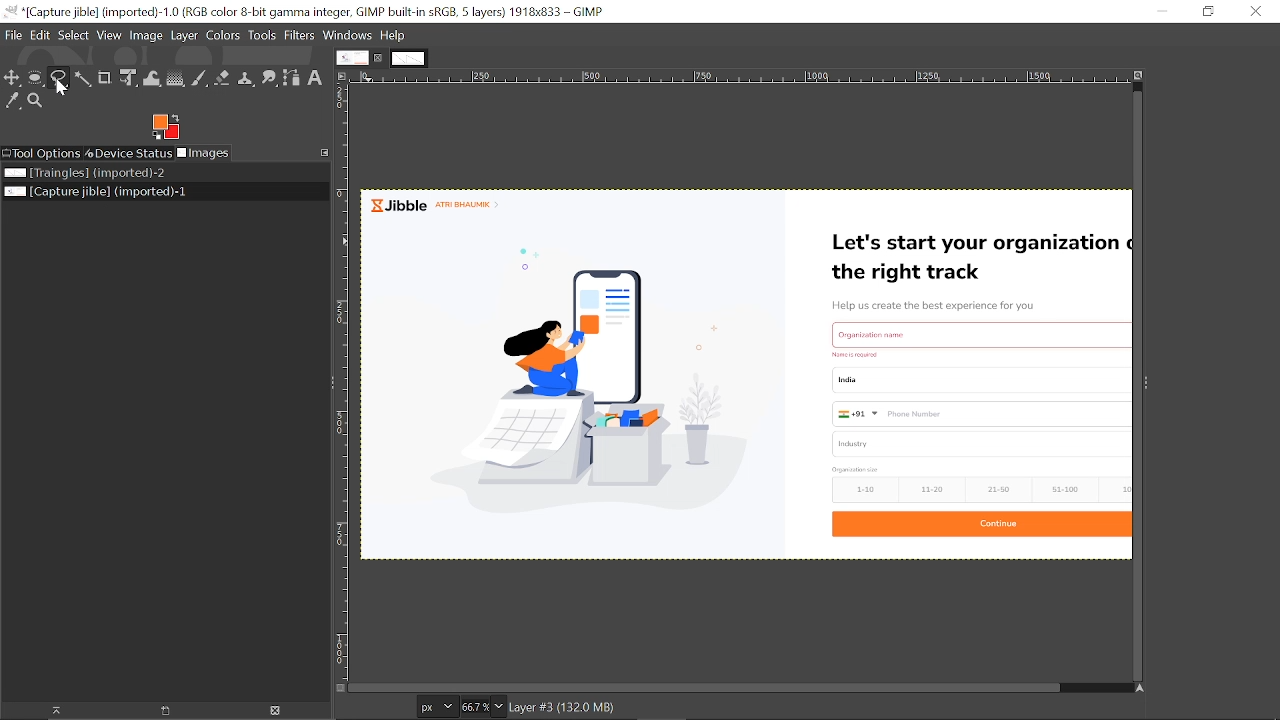  What do you see at coordinates (743, 372) in the screenshot?
I see `Current image` at bounding box center [743, 372].